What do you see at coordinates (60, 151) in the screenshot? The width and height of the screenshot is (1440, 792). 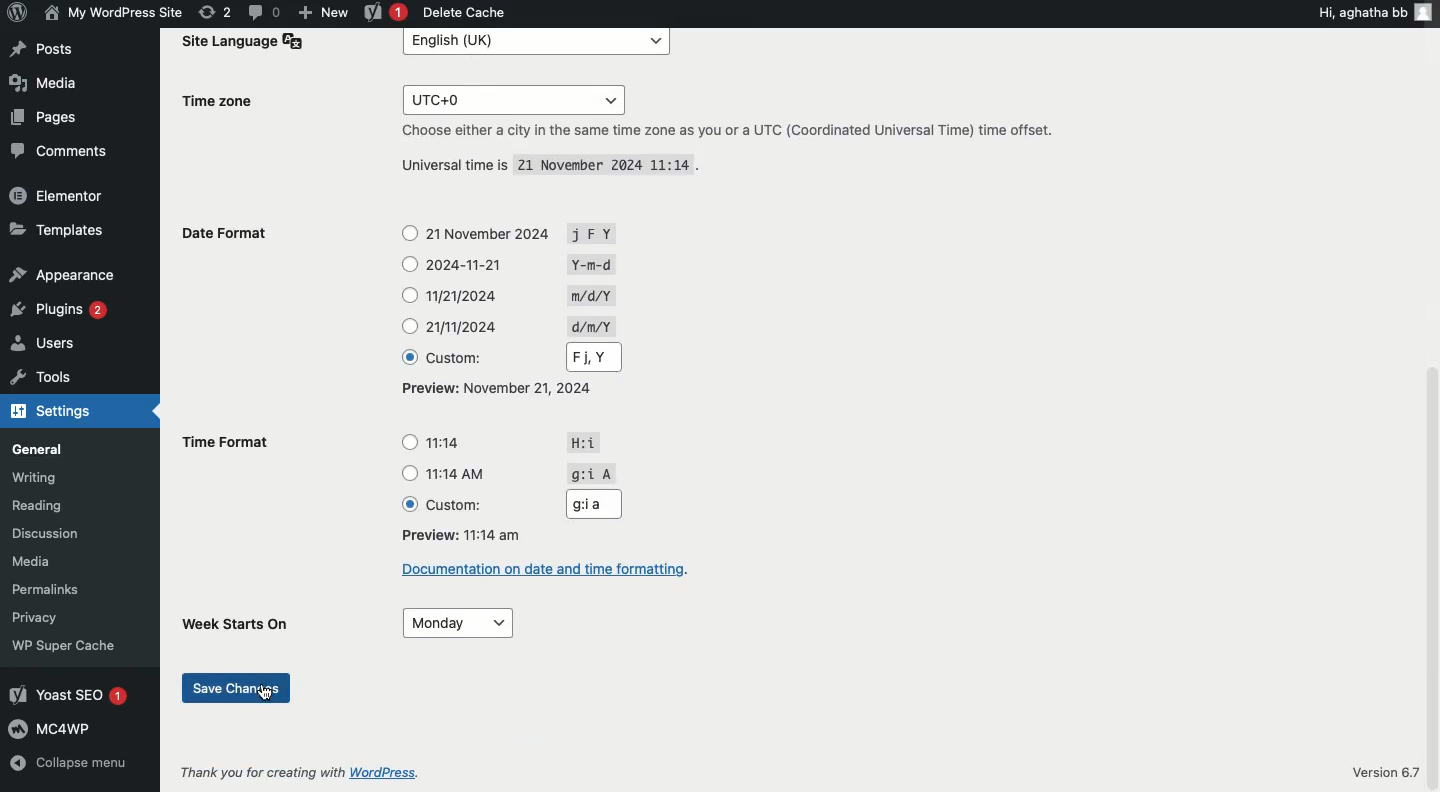 I see `Comments` at bounding box center [60, 151].